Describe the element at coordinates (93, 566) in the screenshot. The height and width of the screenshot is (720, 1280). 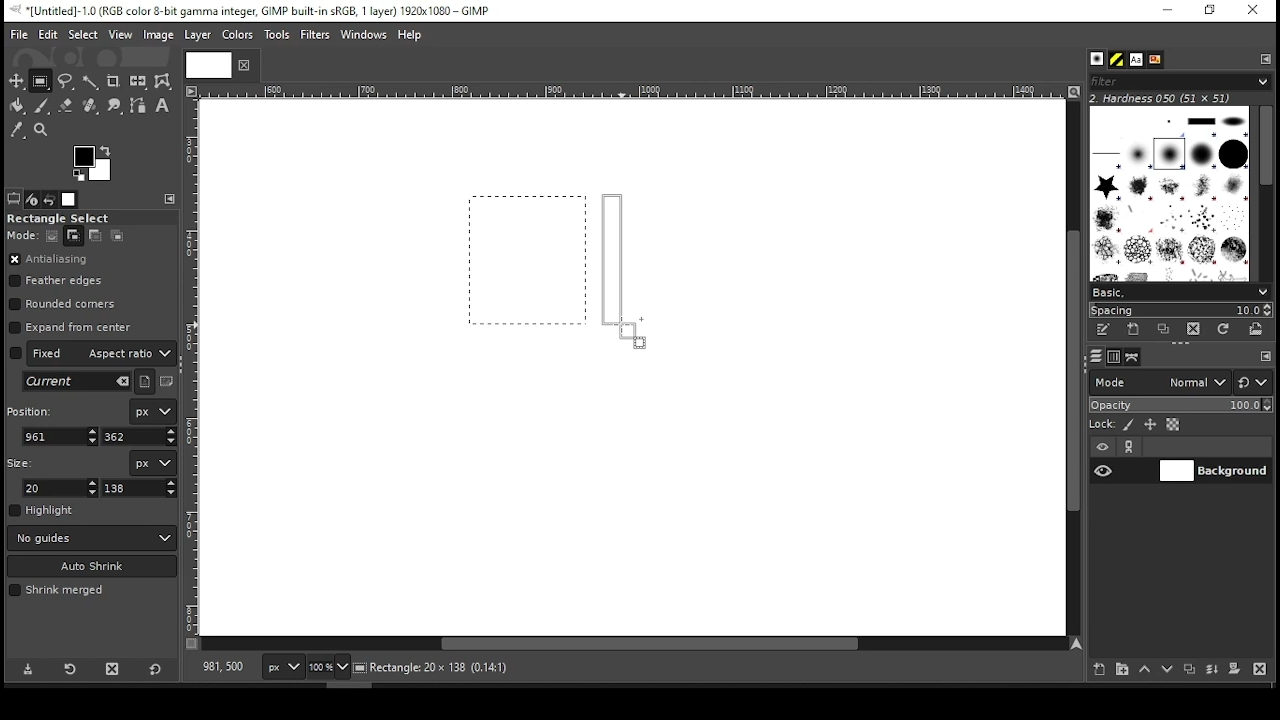
I see `auto shrink` at that location.